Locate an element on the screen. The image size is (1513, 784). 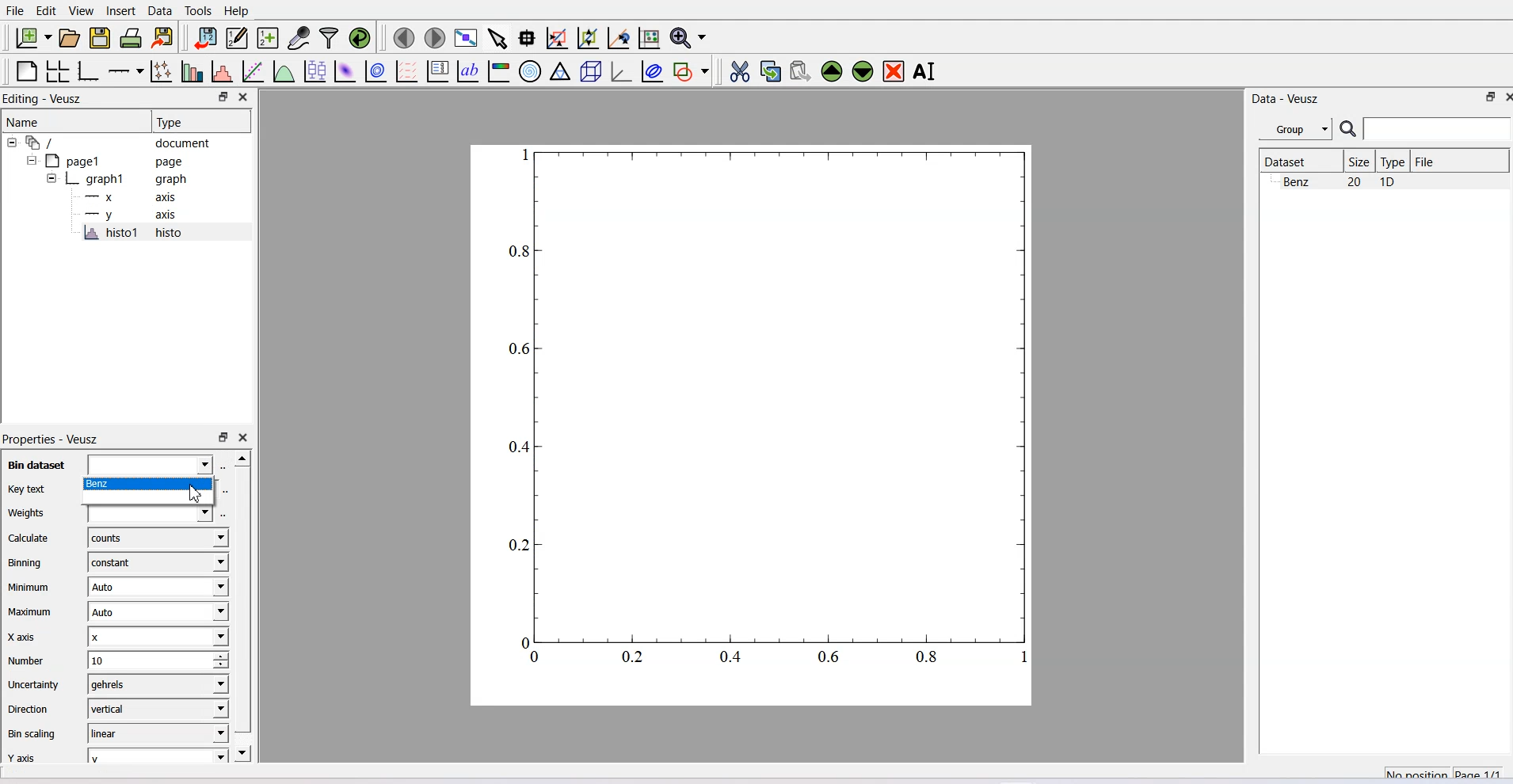
Data - Veusz is located at coordinates (1286, 100).